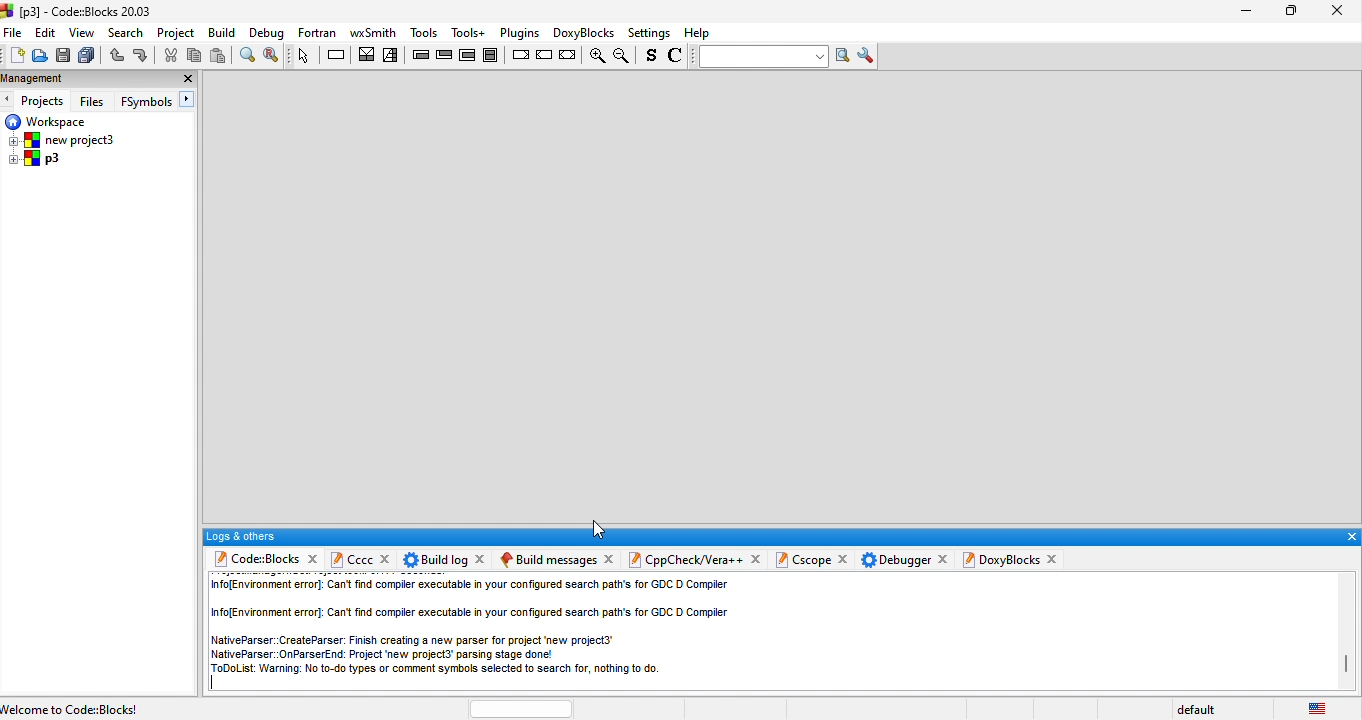 This screenshot has width=1362, height=720. What do you see at coordinates (143, 56) in the screenshot?
I see `redo` at bounding box center [143, 56].